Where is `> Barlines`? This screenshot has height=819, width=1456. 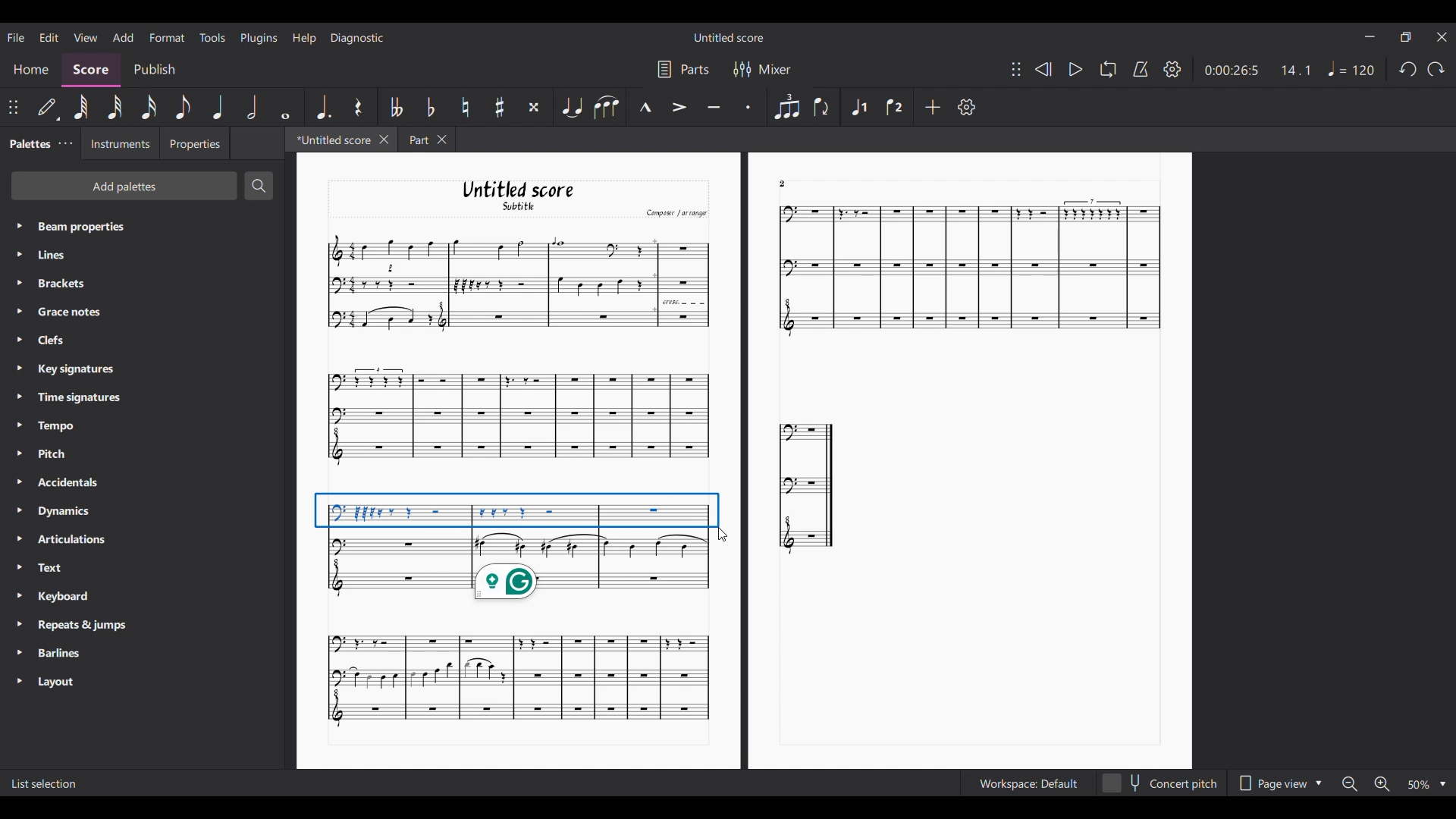 > Barlines is located at coordinates (57, 654).